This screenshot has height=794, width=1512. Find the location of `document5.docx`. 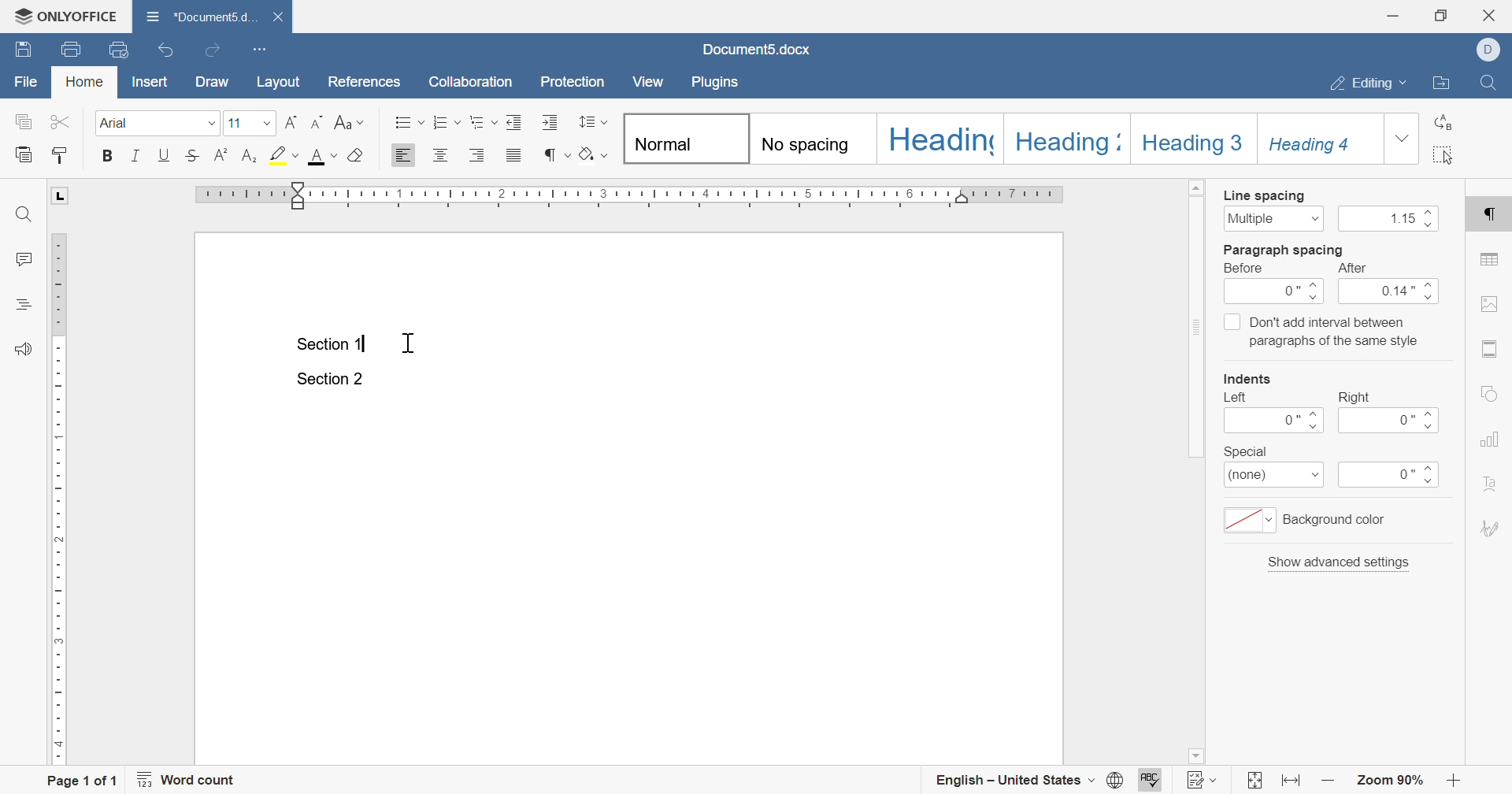

document5.docx is located at coordinates (755, 50).